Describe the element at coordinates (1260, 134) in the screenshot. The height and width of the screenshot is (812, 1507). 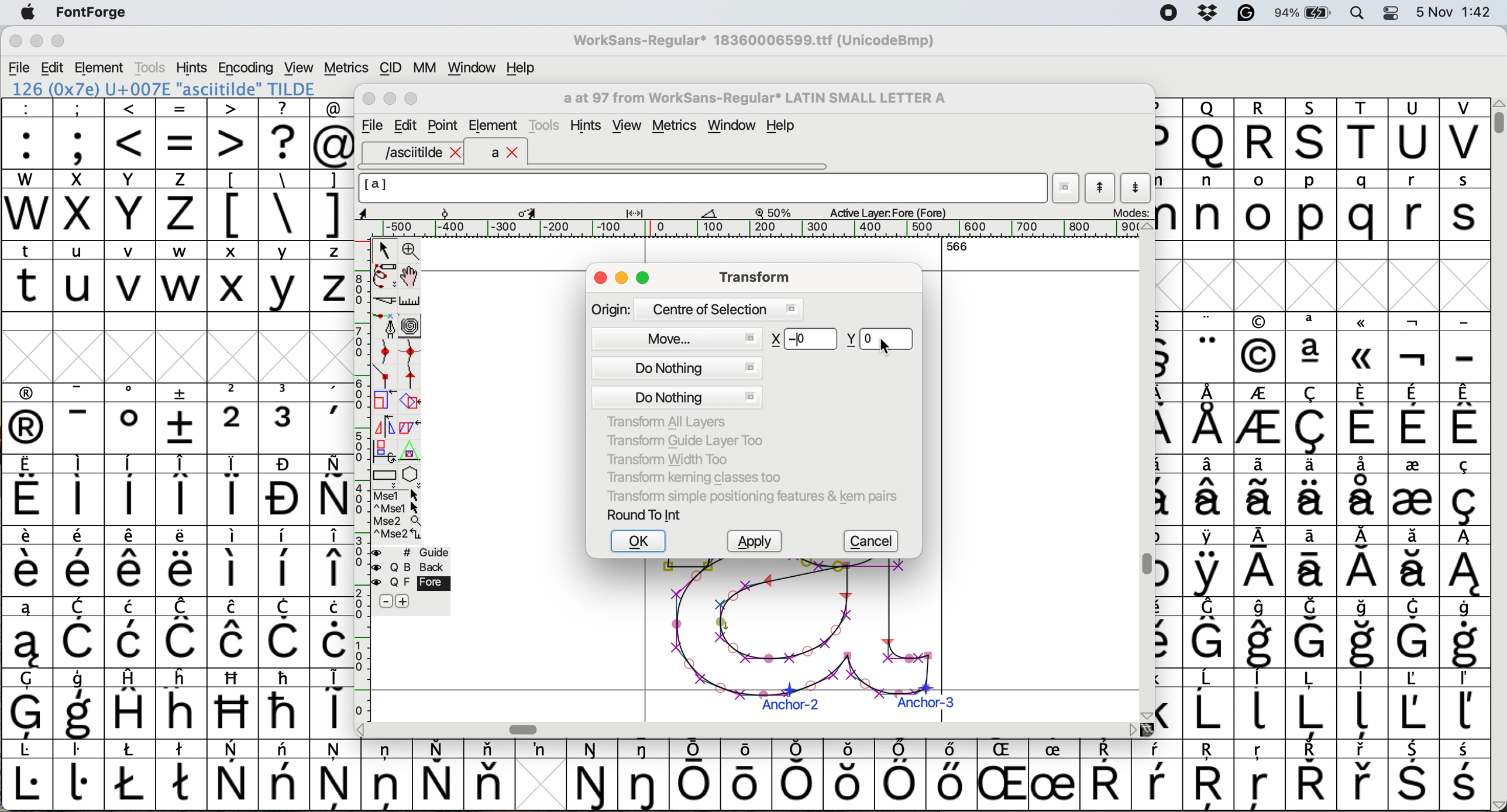
I see `R` at that location.